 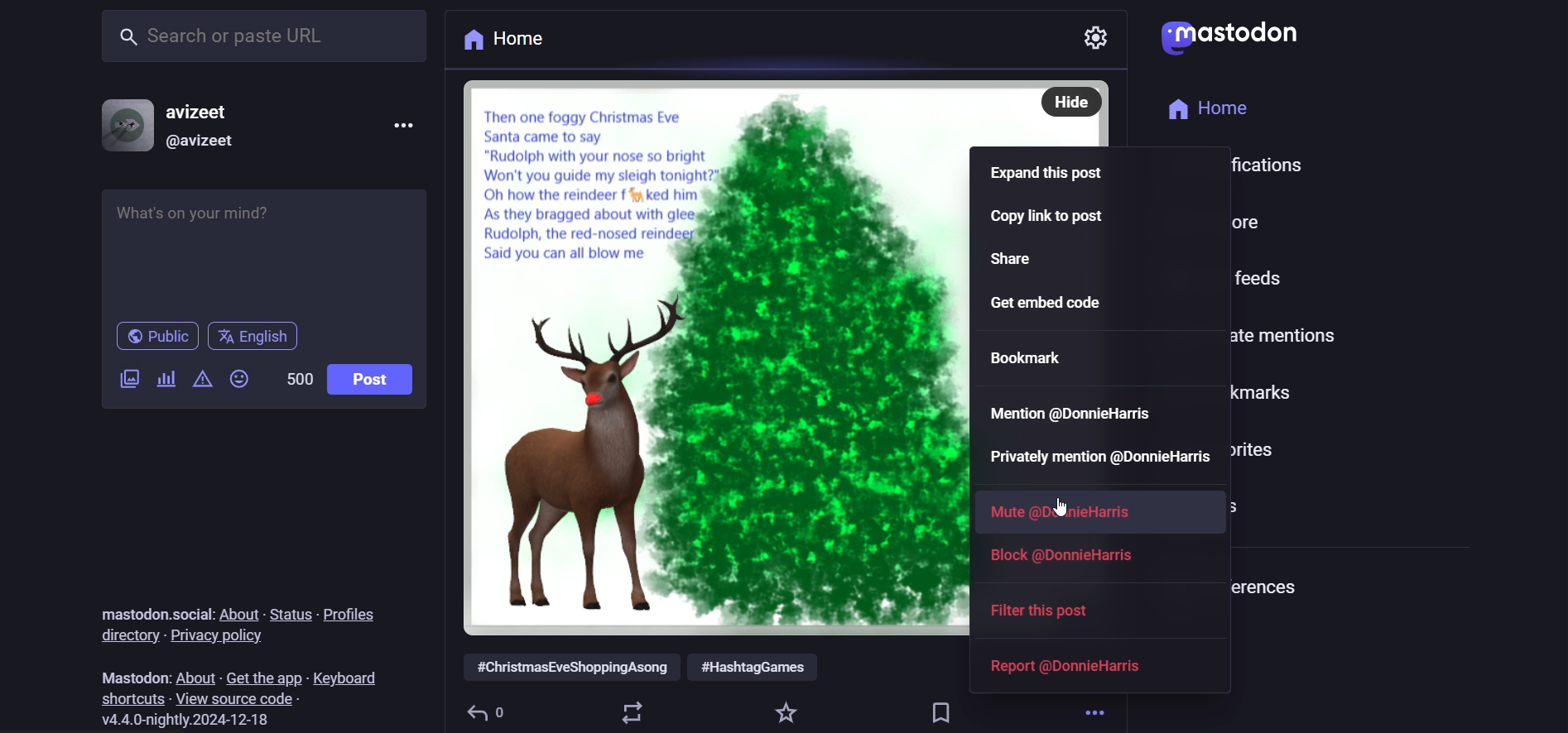 I want to click on content warning, so click(x=199, y=379).